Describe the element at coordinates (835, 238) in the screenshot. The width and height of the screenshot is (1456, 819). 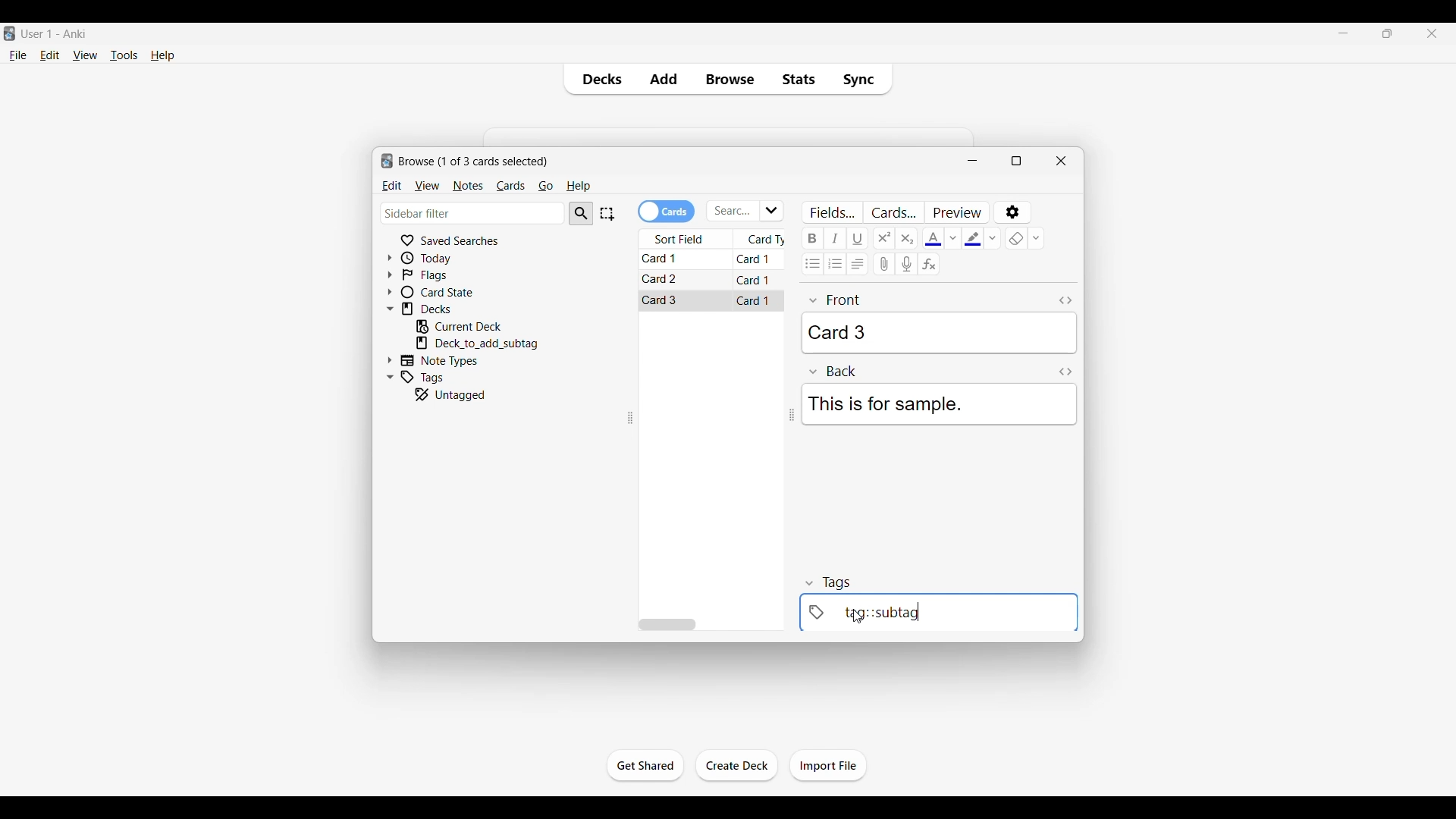
I see `Italic text` at that location.